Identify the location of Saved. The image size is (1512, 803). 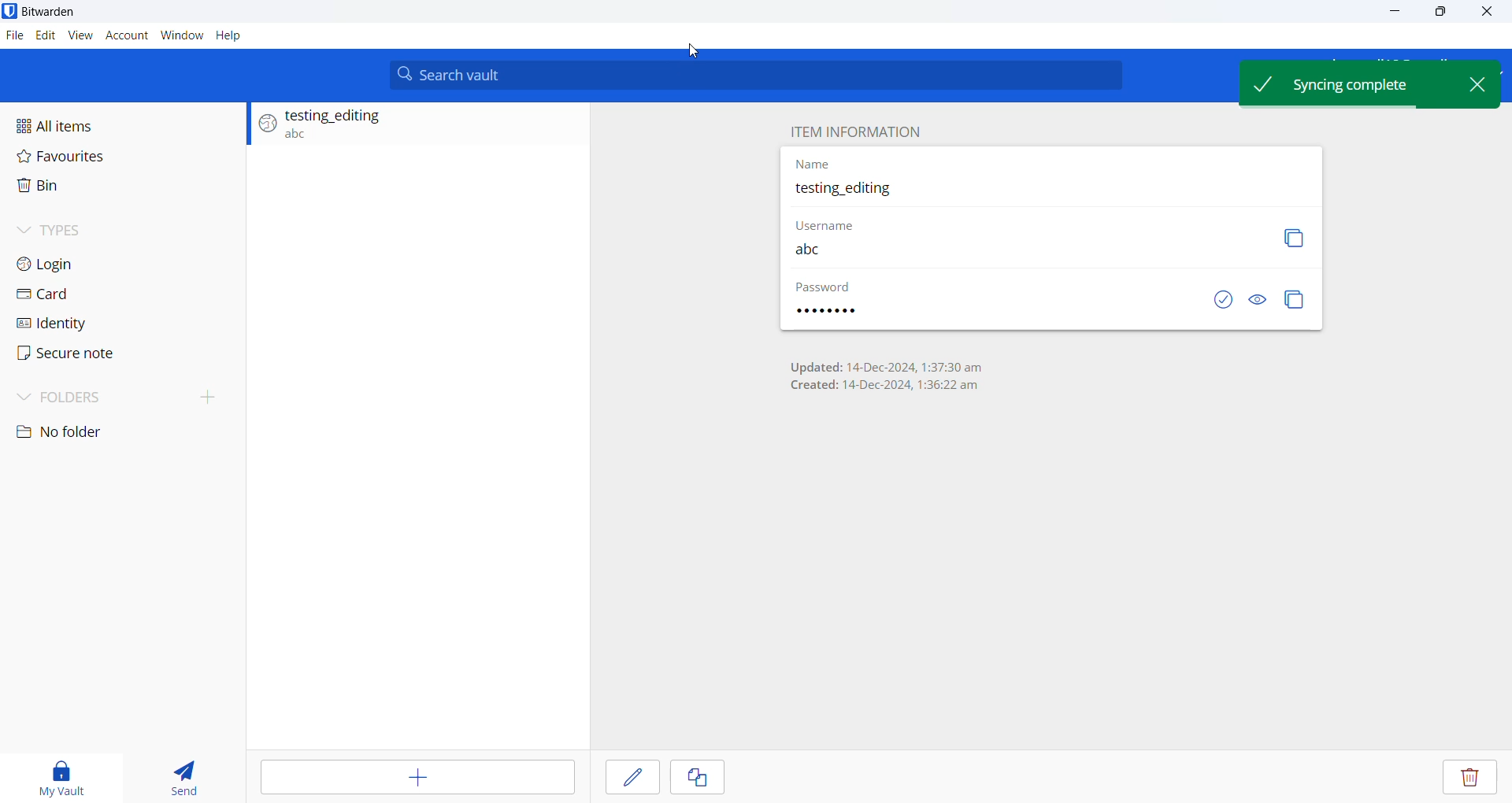
(1209, 301).